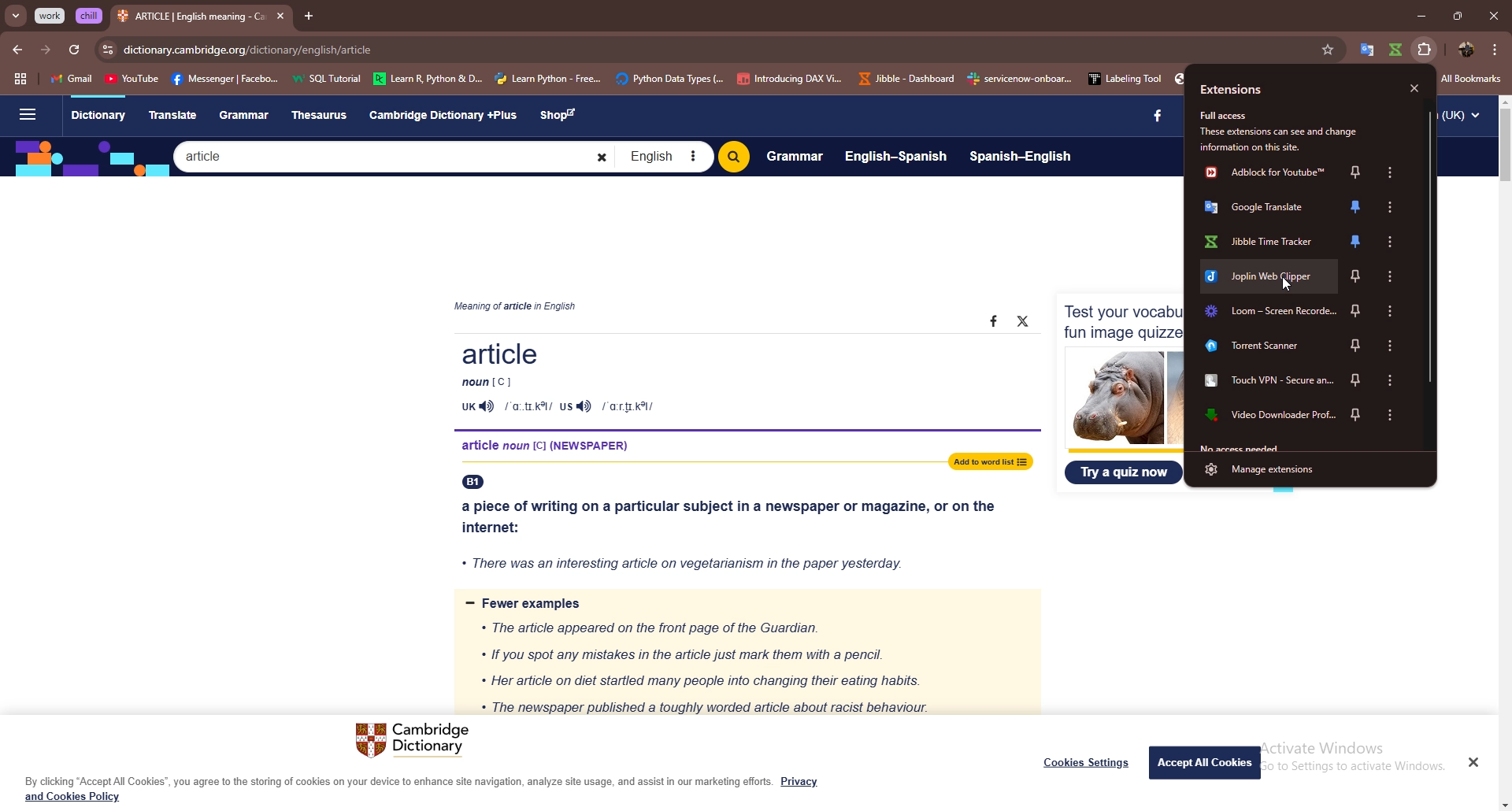  I want to click on close tab, so click(280, 16).